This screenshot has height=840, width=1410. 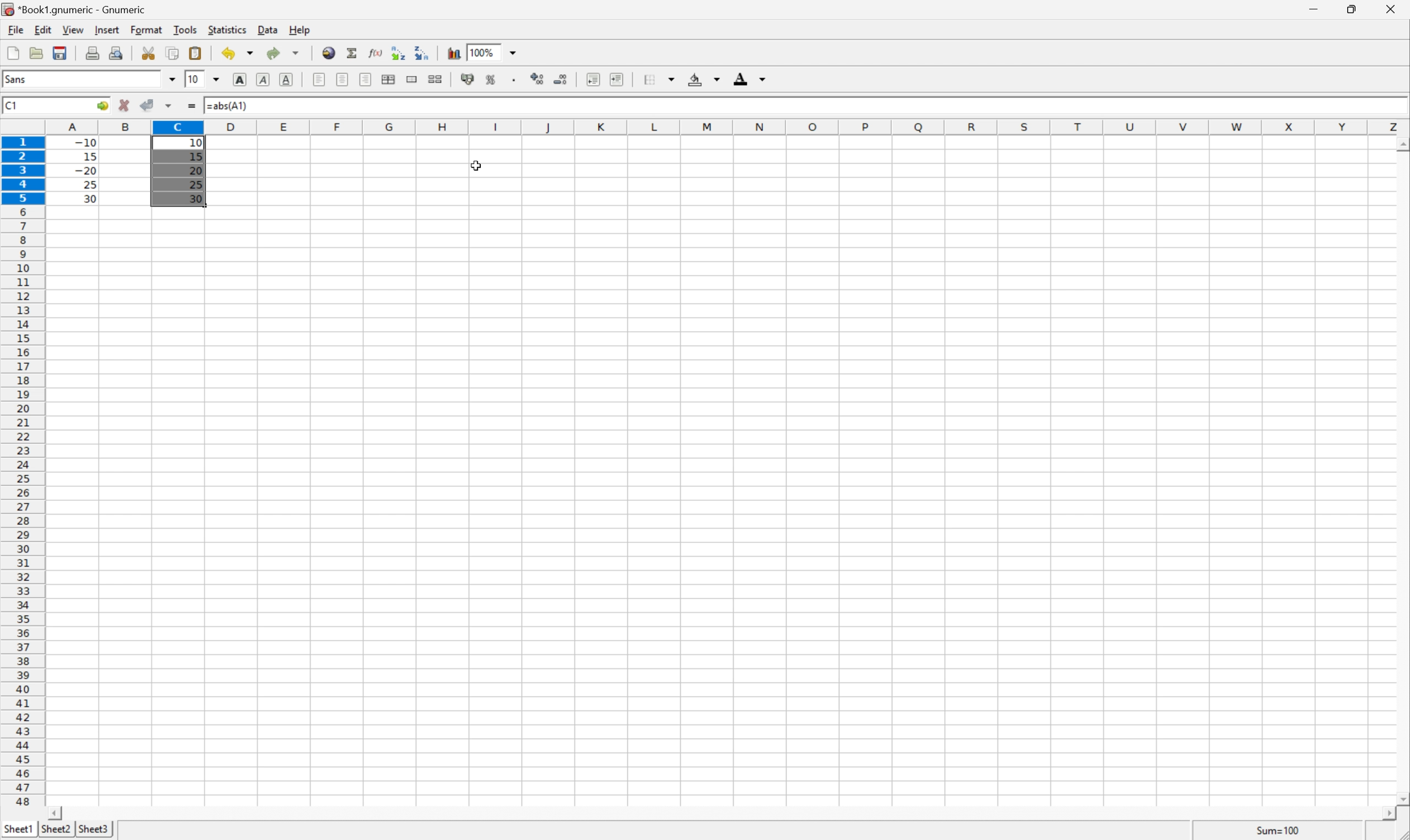 I want to click on Merge a range of cells, so click(x=413, y=79).